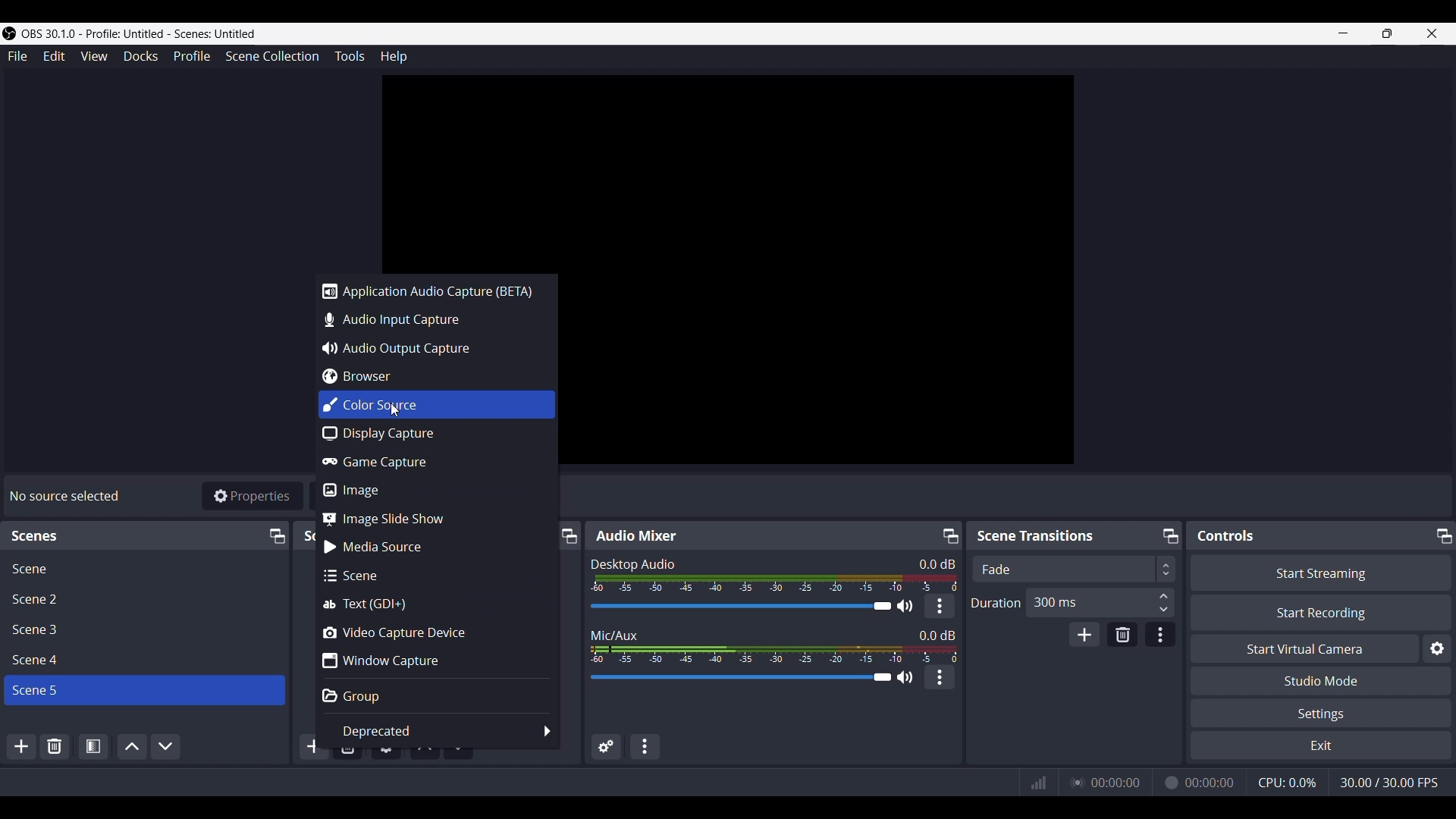  What do you see at coordinates (1436, 647) in the screenshot?
I see `Settings` at bounding box center [1436, 647].